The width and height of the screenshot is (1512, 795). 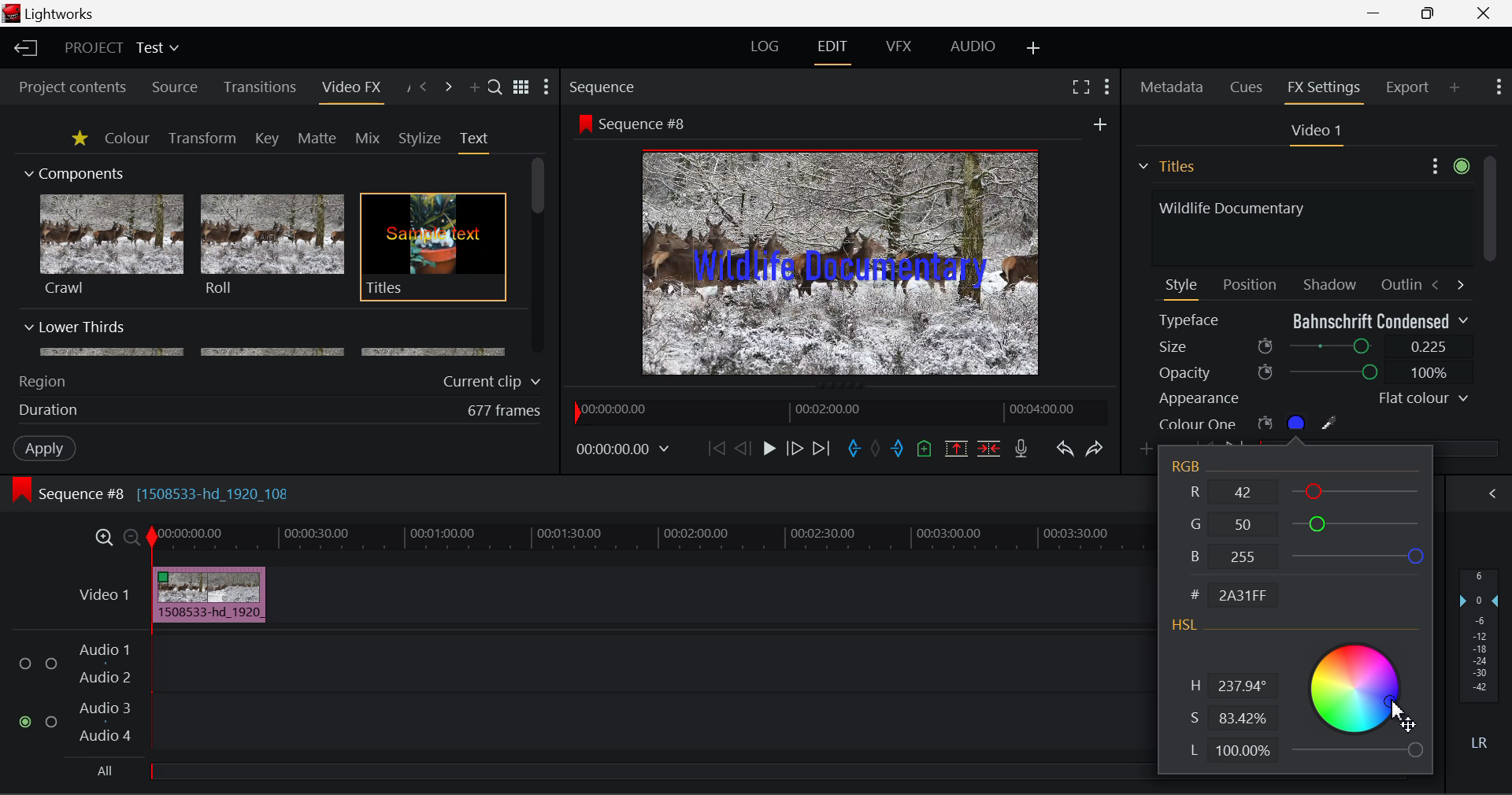 What do you see at coordinates (1308, 490) in the screenshot?
I see `R` at bounding box center [1308, 490].